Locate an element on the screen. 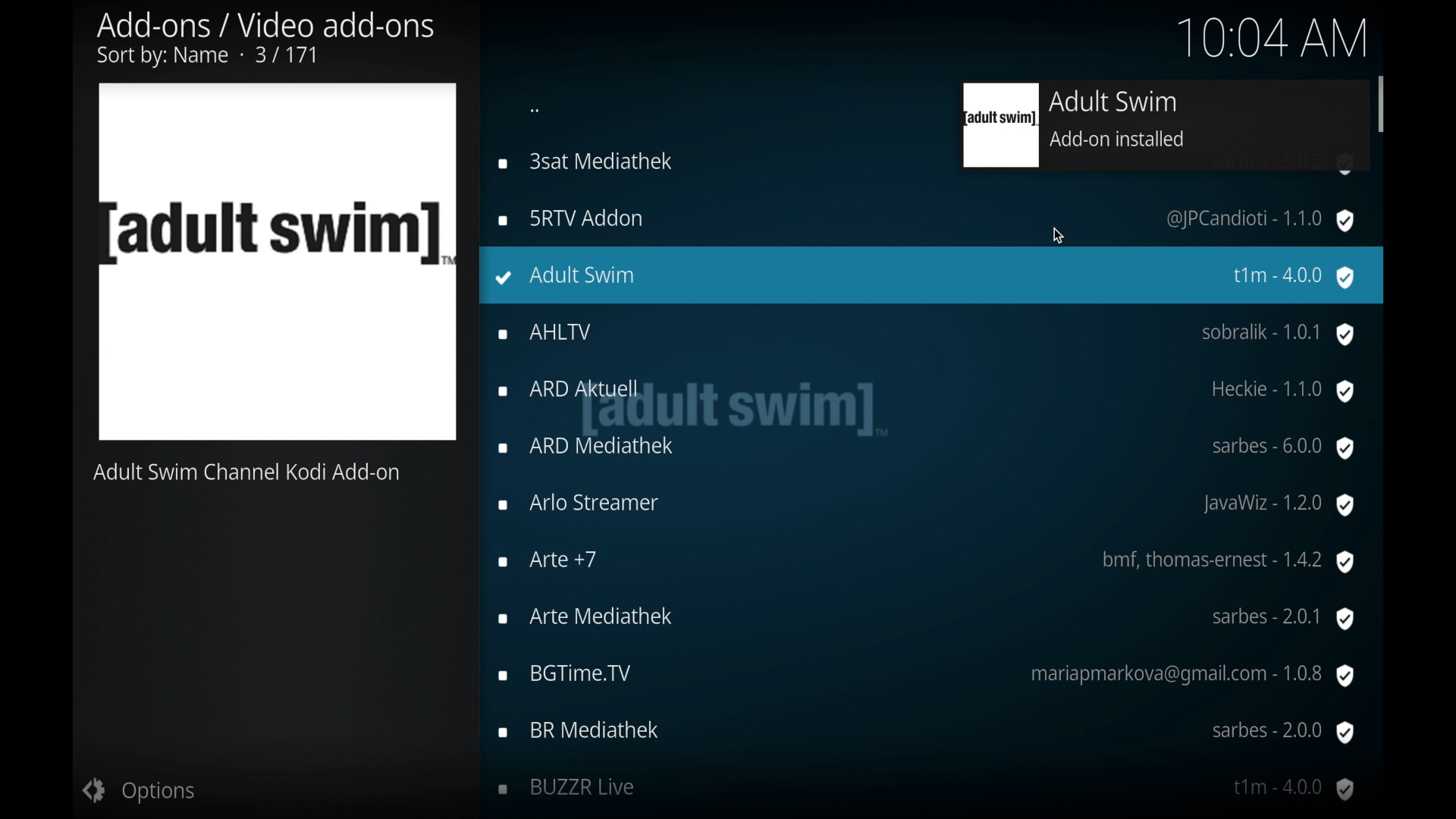 The width and height of the screenshot is (1456, 819). arlo is located at coordinates (925, 504).